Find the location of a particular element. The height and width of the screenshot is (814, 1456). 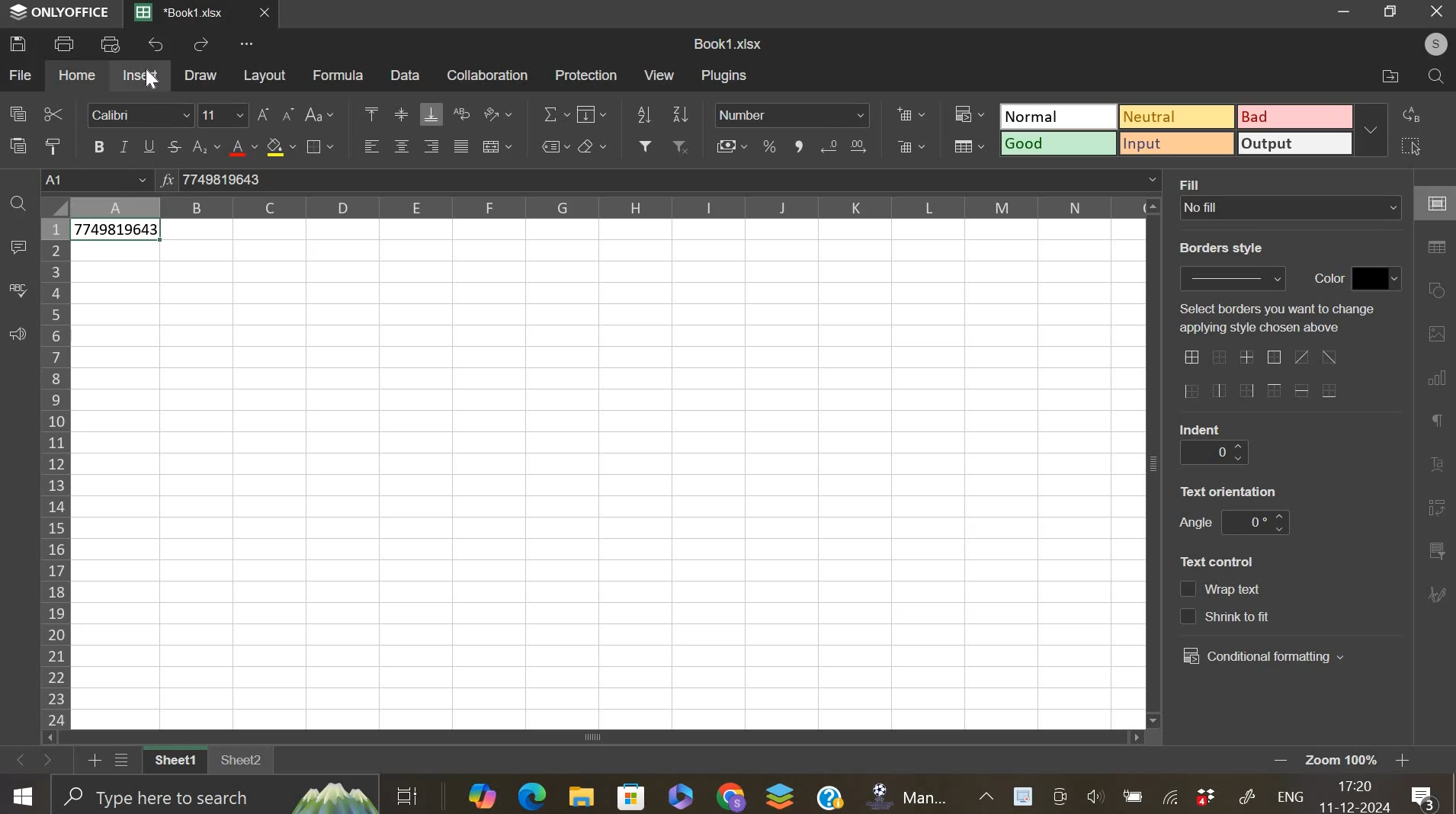

formula bar is located at coordinates (672, 178).